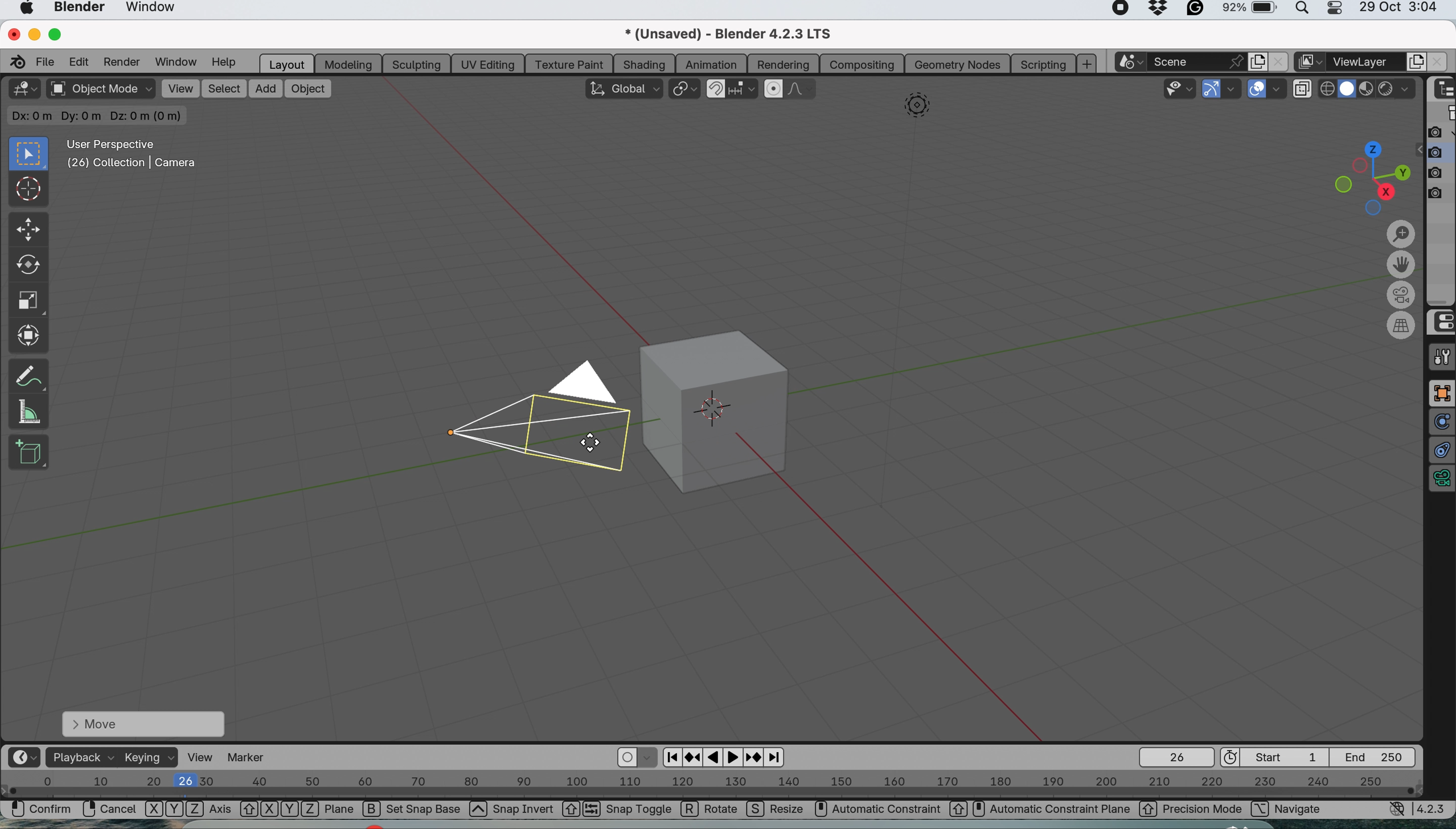 The image size is (1456, 829). I want to click on object, so click(308, 88).